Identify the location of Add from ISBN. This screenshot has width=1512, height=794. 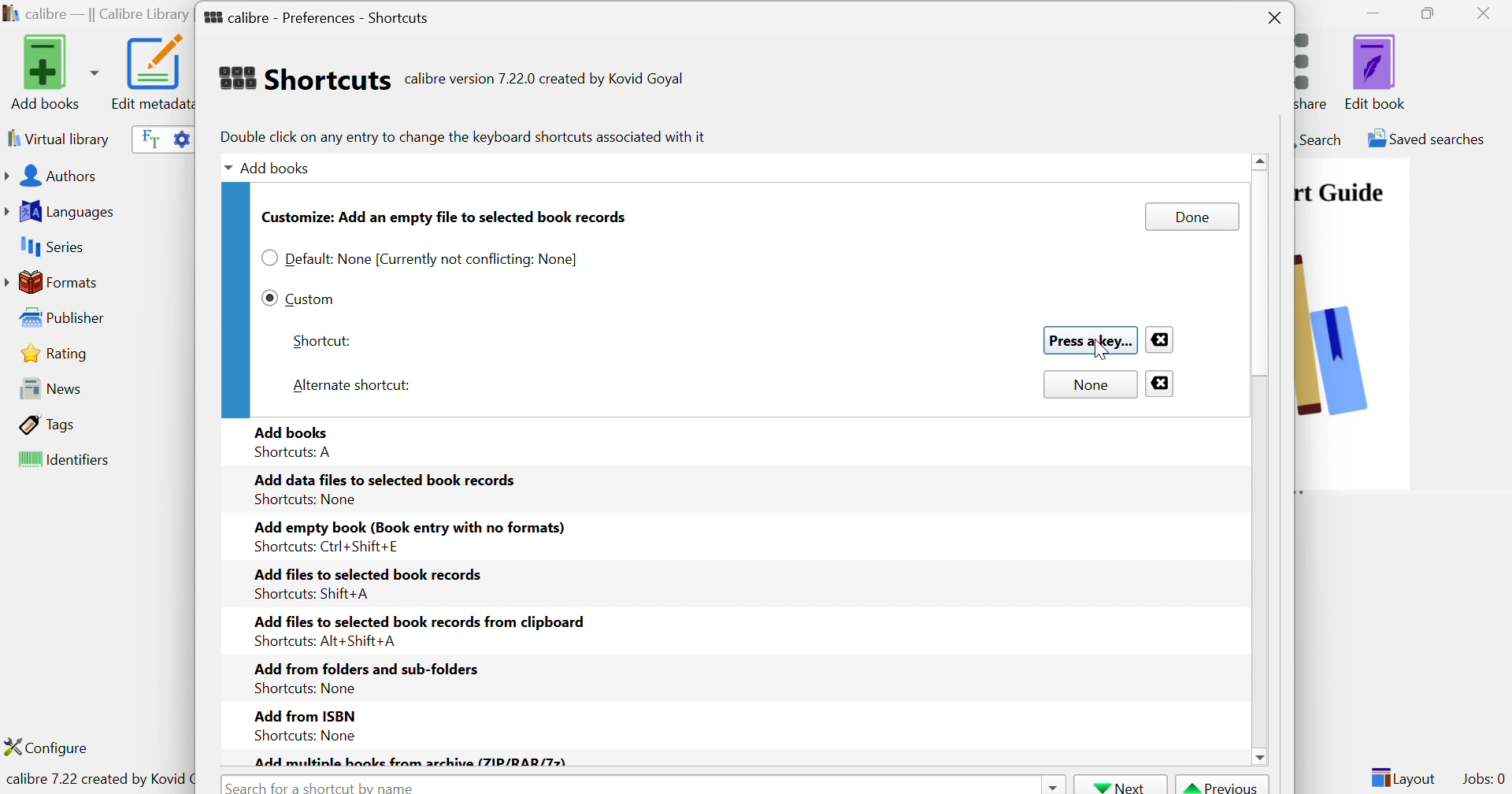
(303, 714).